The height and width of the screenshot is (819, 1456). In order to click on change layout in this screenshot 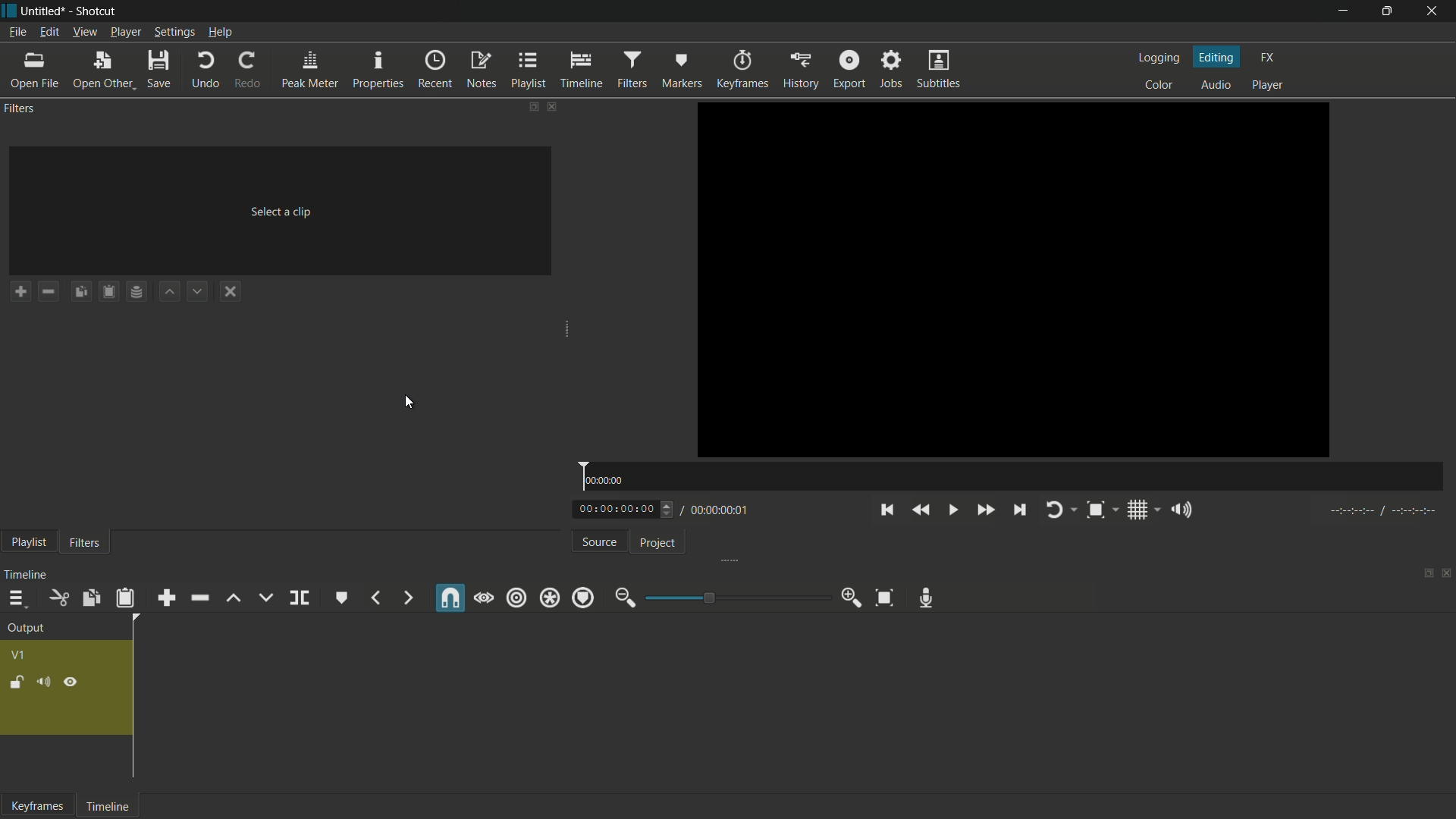, I will do `click(526, 106)`.